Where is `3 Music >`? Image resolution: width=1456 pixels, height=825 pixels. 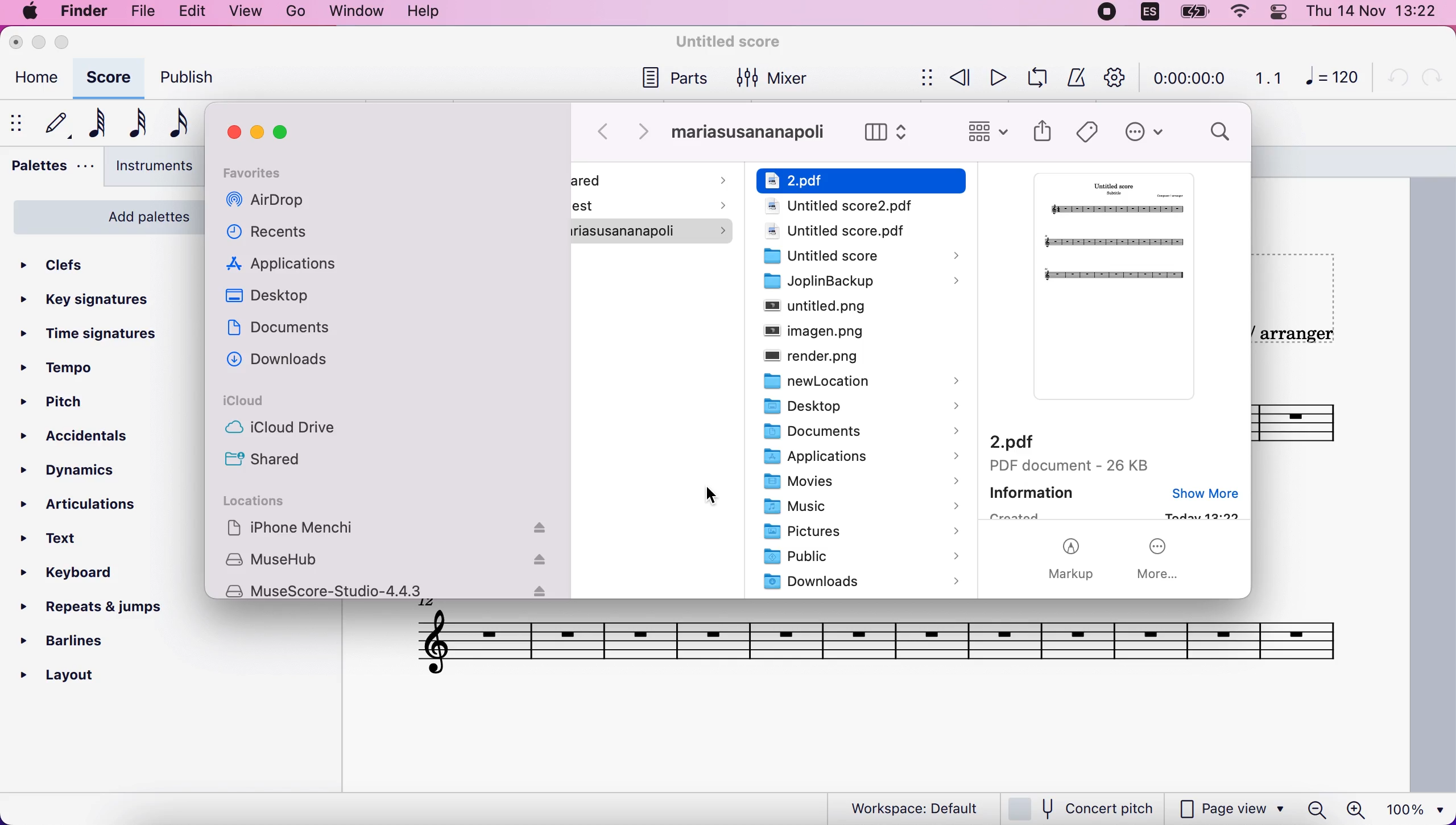 3 Music > is located at coordinates (856, 508).